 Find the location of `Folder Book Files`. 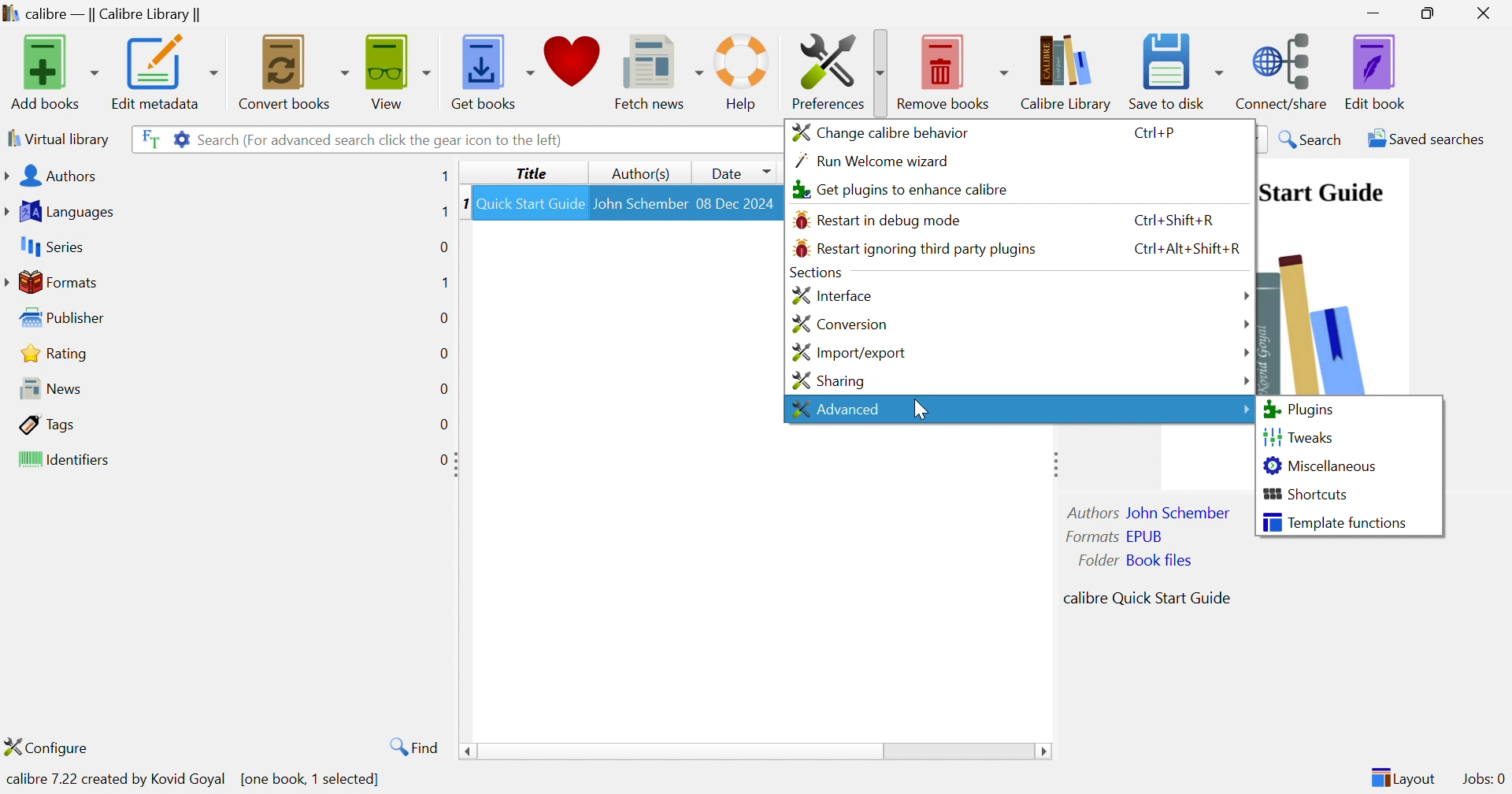

Folder Book Files is located at coordinates (1136, 560).